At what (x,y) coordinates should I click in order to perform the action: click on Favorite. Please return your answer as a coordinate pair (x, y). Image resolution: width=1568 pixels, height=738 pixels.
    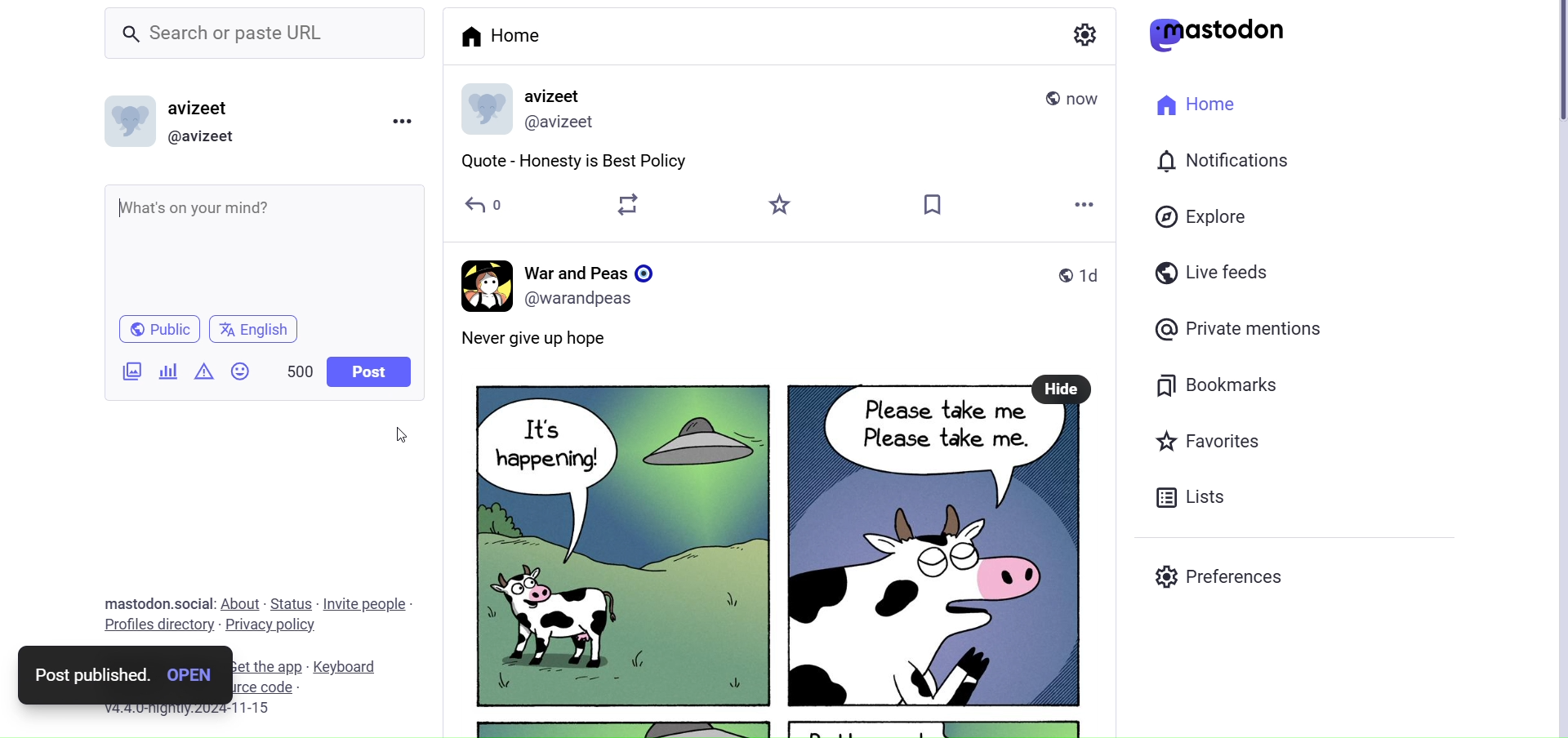
    Looking at the image, I should click on (782, 204).